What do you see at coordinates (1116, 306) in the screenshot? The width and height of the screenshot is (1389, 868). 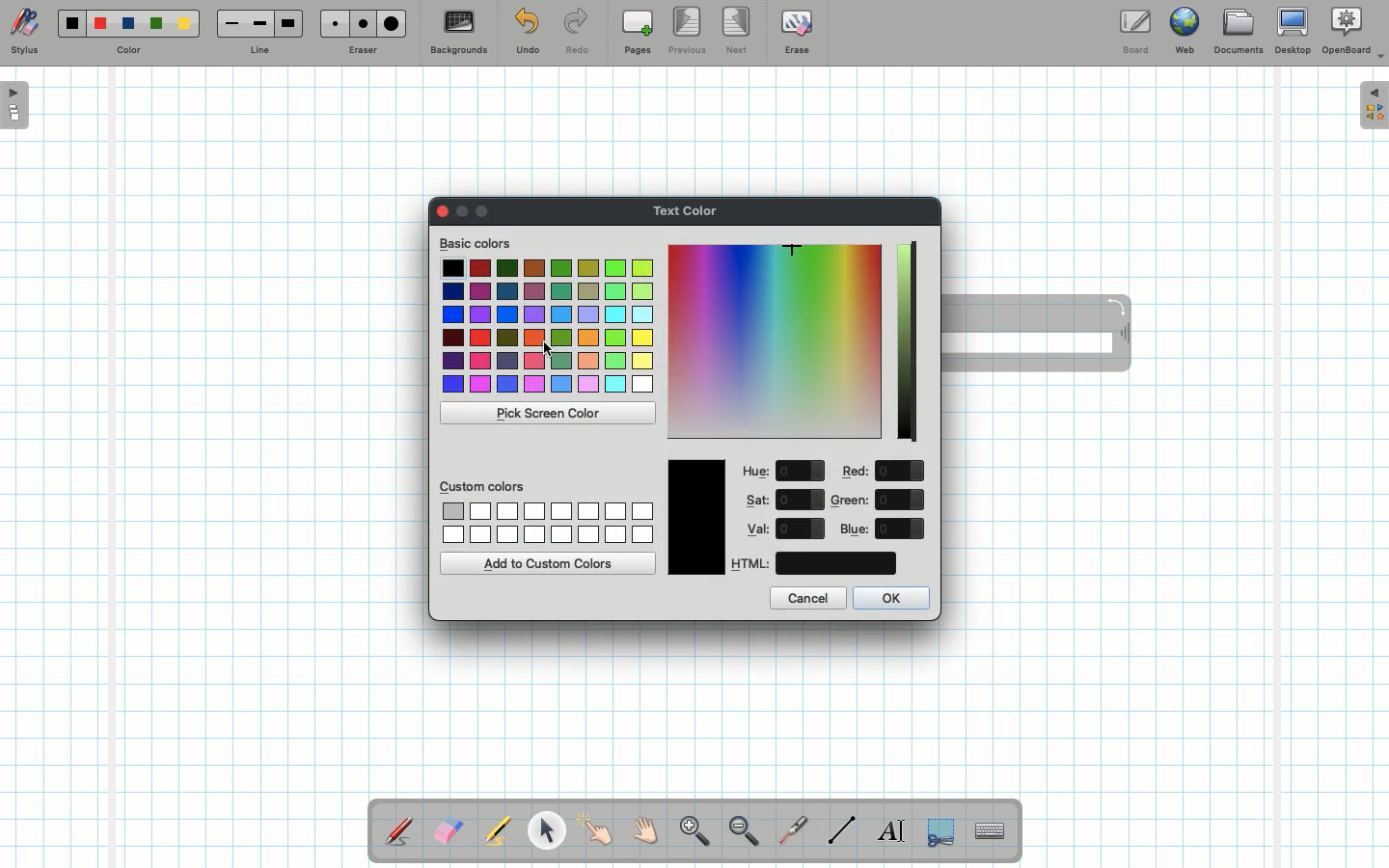 I see `Rotate` at bounding box center [1116, 306].